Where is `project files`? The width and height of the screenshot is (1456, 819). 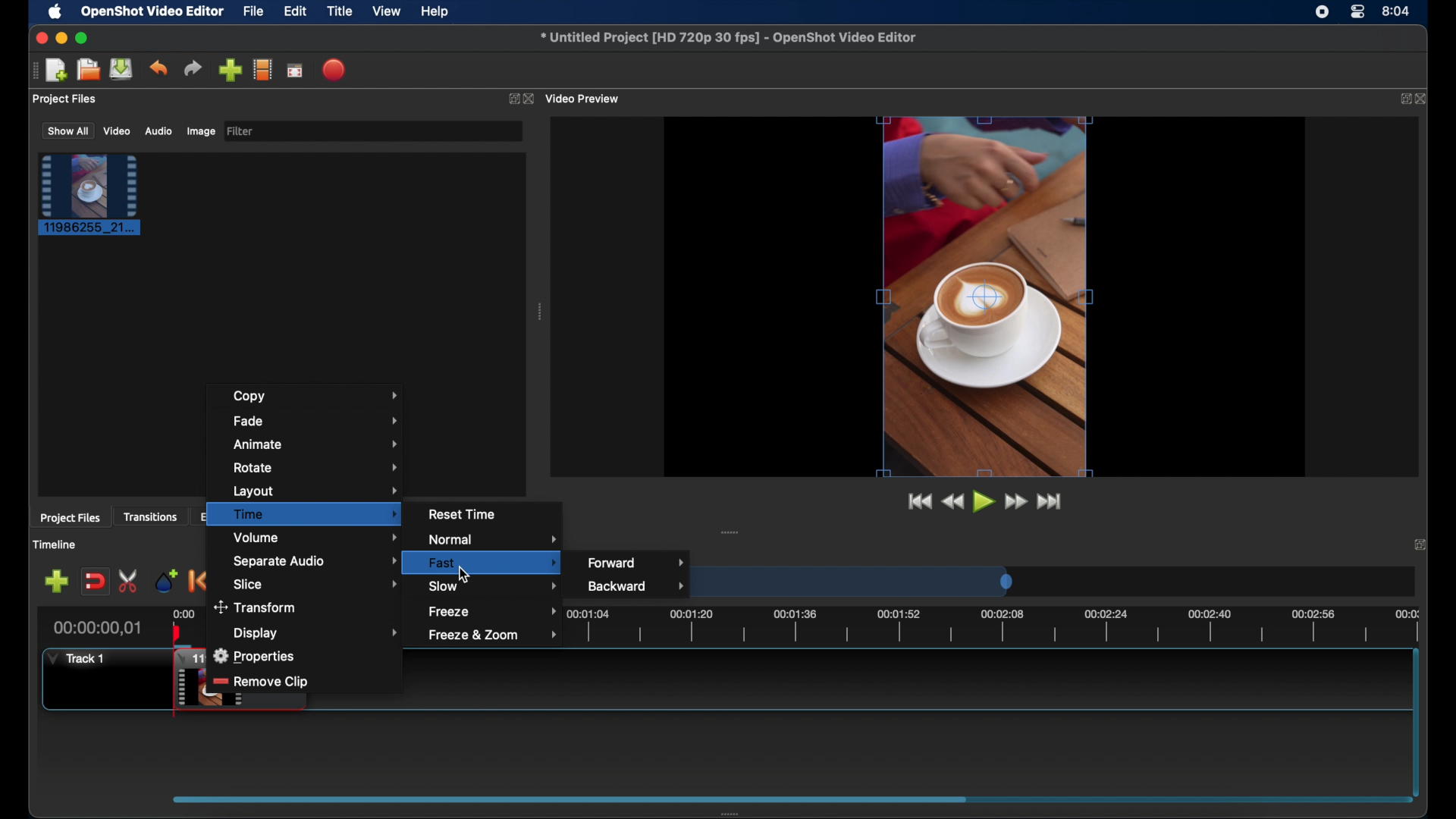 project files is located at coordinates (71, 519).